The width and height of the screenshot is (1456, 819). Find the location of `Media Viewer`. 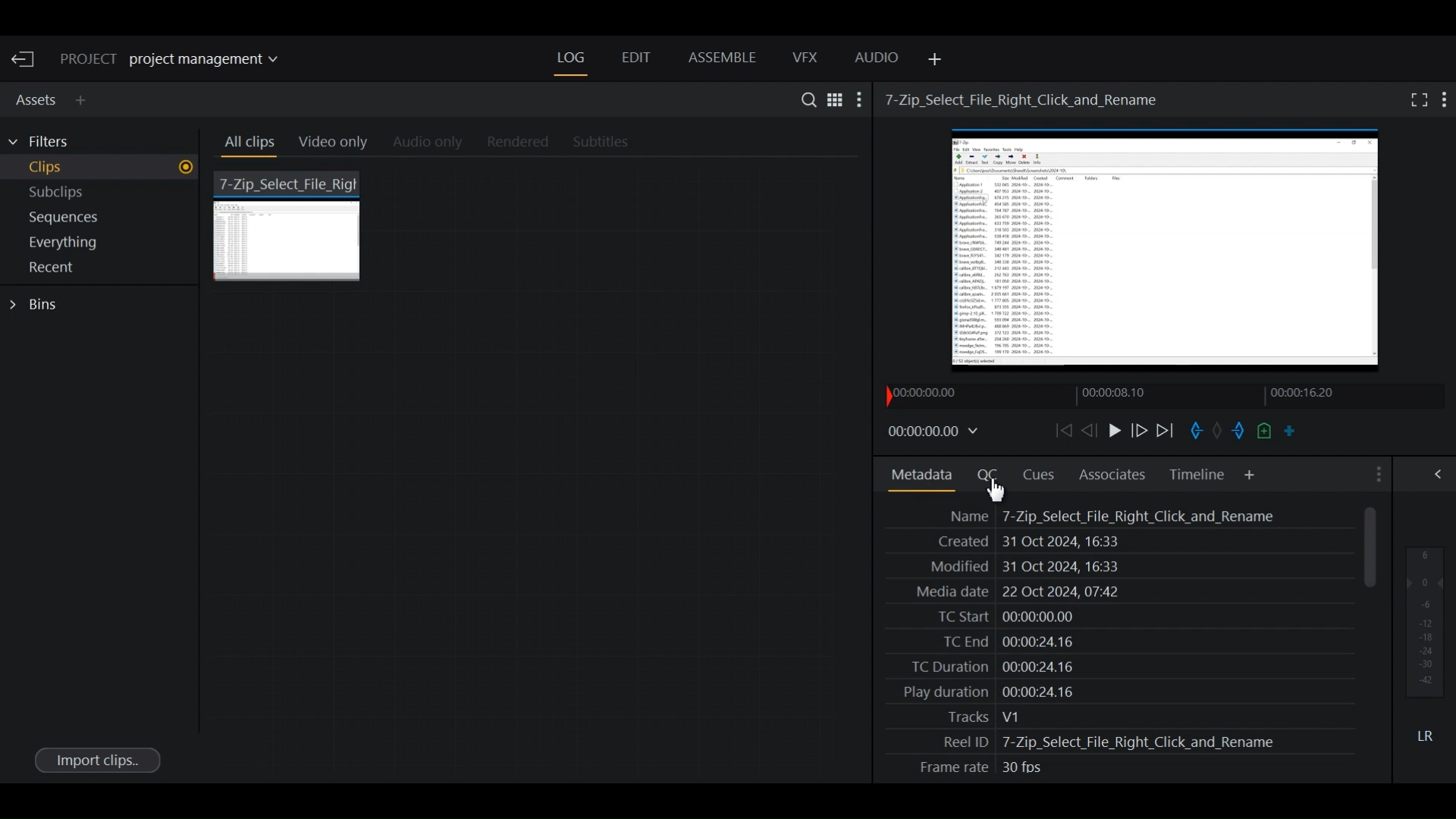

Media Viewer is located at coordinates (1168, 254).